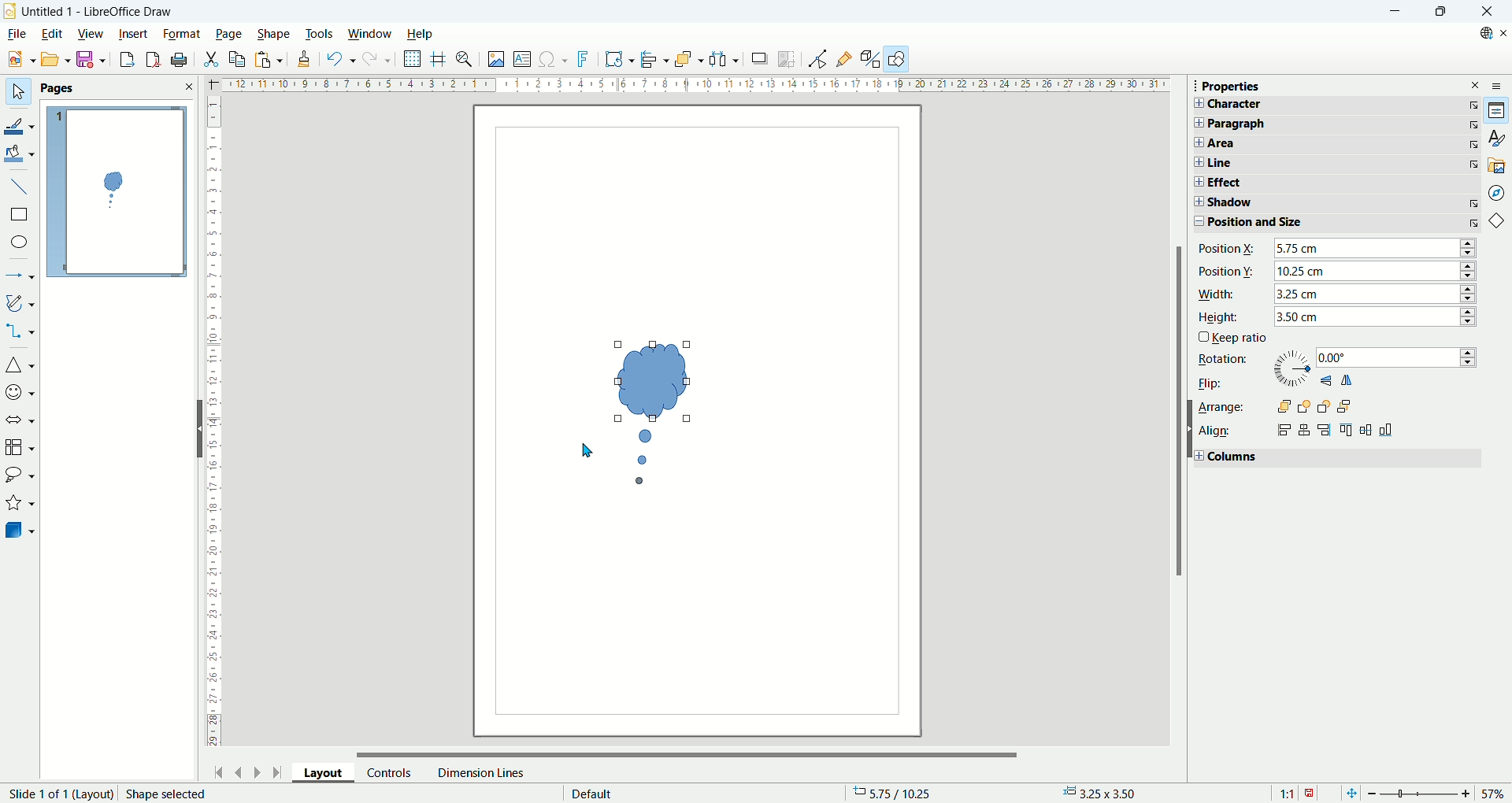 This screenshot has width=1512, height=803. I want to click on basic shapes, so click(20, 367).